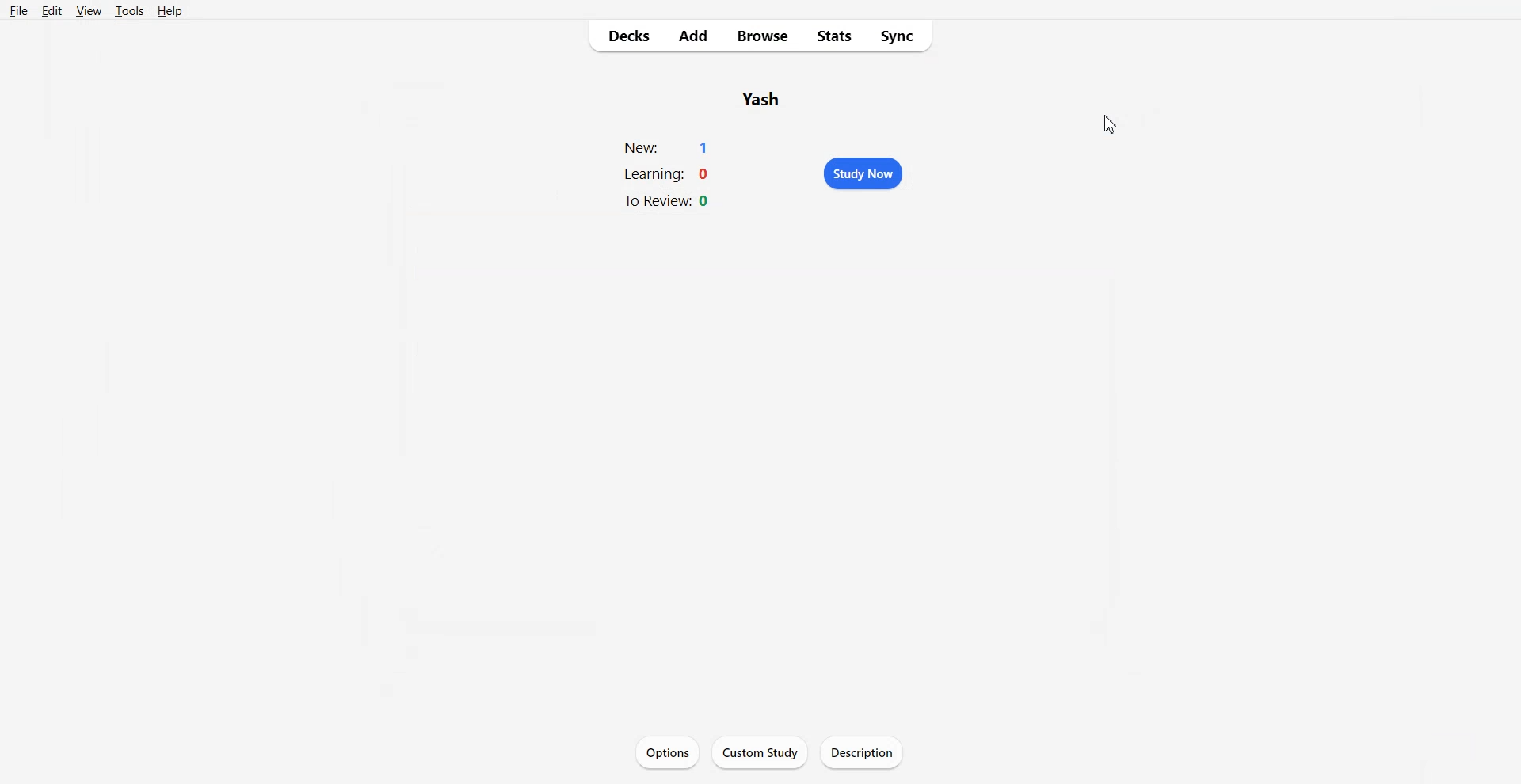 This screenshot has width=1521, height=784. What do you see at coordinates (668, 202) in the screenshot?
I see `To Review: 0` at bounding box center [668, 202].